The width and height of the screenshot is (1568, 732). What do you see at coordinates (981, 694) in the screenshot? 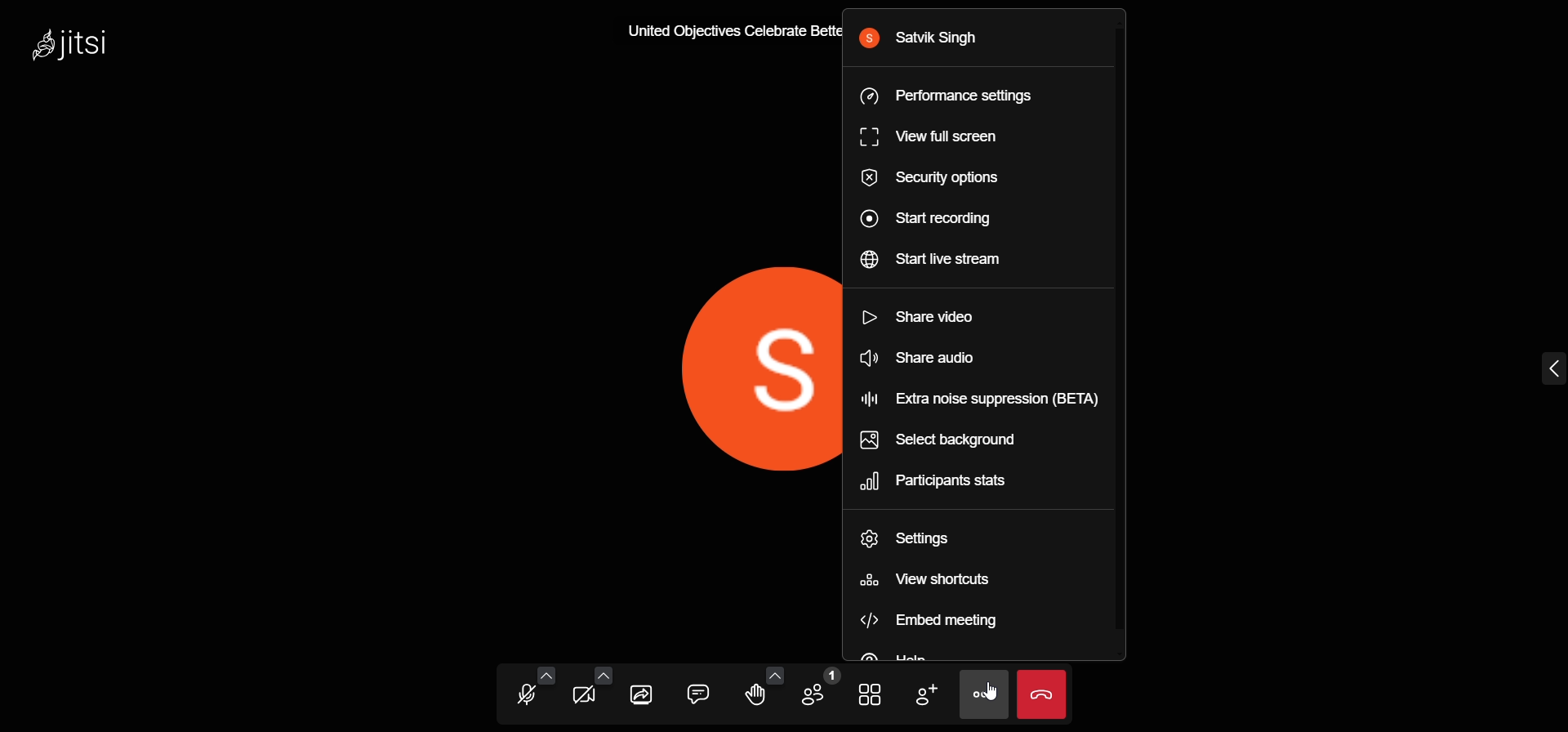
I see `more` at bounding box center [981, 694].